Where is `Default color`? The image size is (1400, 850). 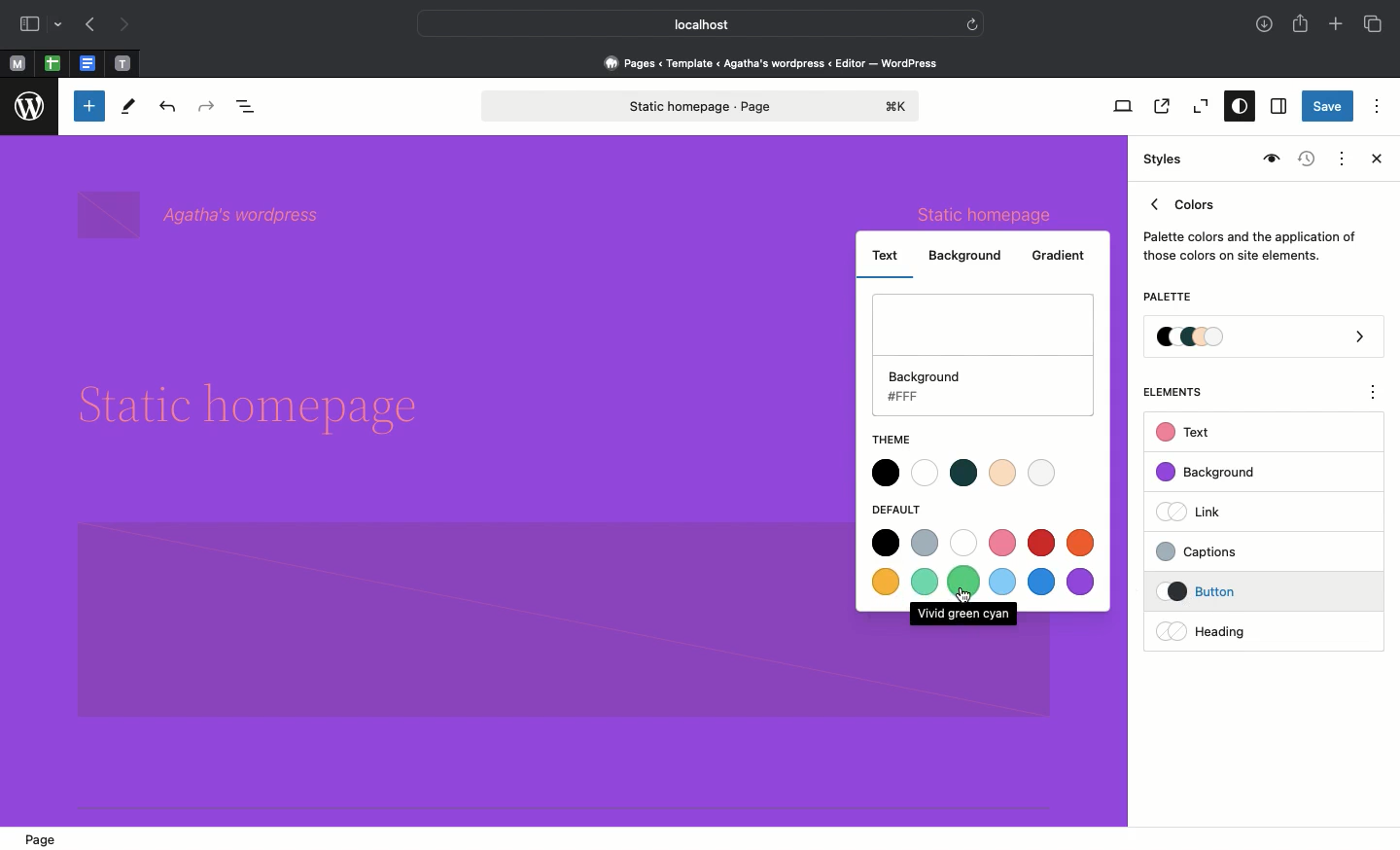 Default color is located at coordinates (984, 562).